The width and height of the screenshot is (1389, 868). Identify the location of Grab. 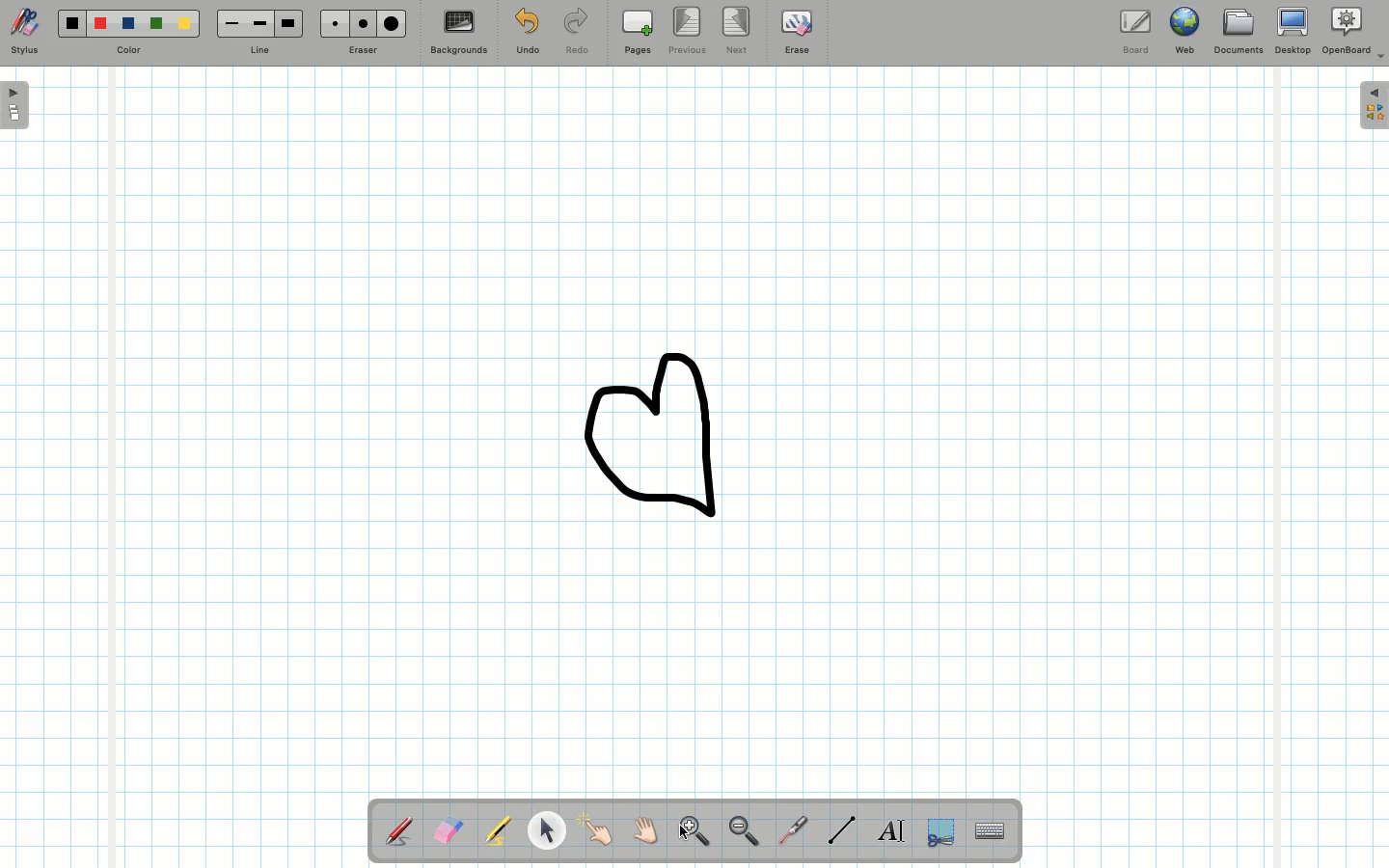
(646, 830).